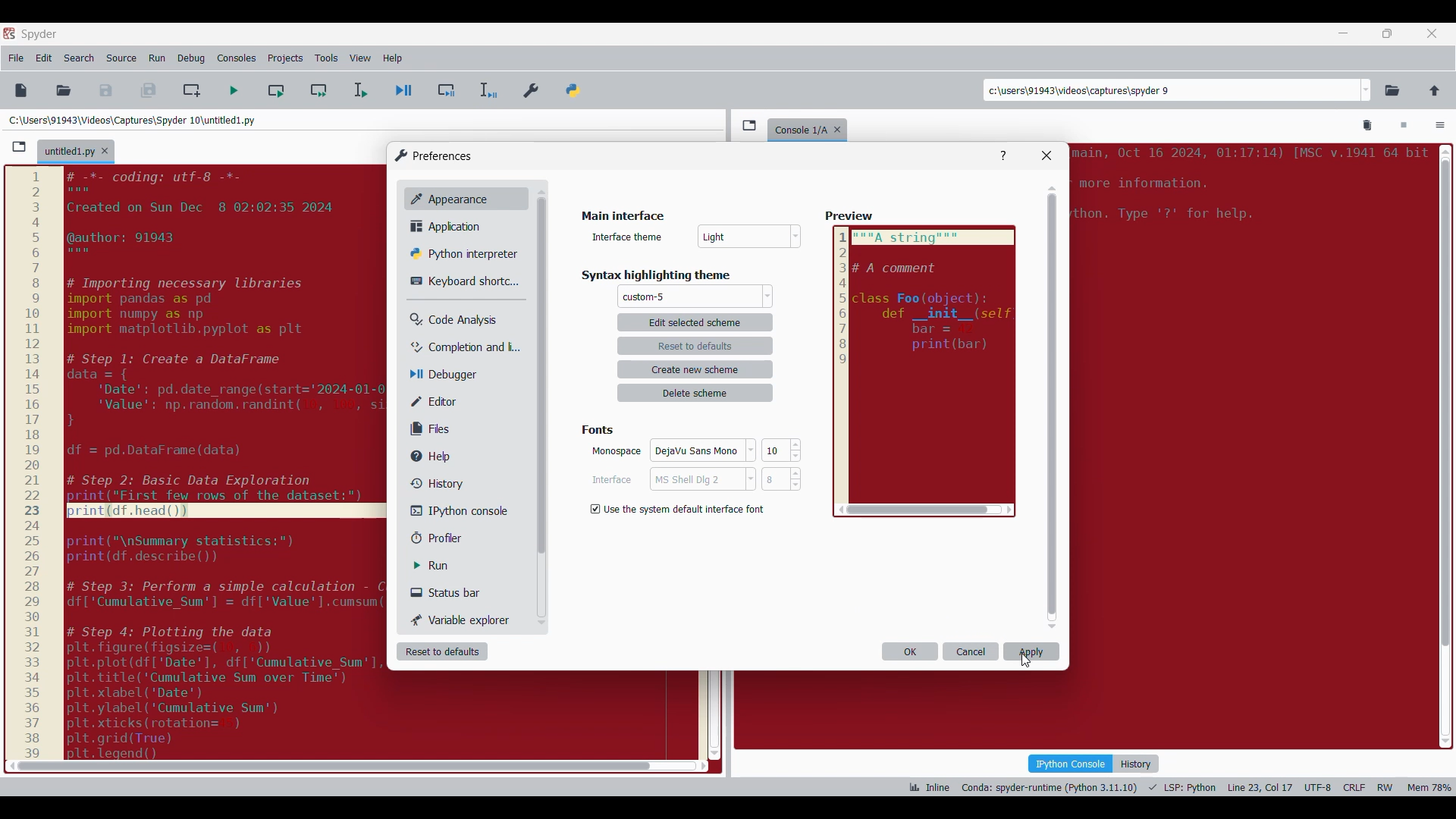 The image size is (1456, 819). I want to click on Browse tabs, so click(19, 147).